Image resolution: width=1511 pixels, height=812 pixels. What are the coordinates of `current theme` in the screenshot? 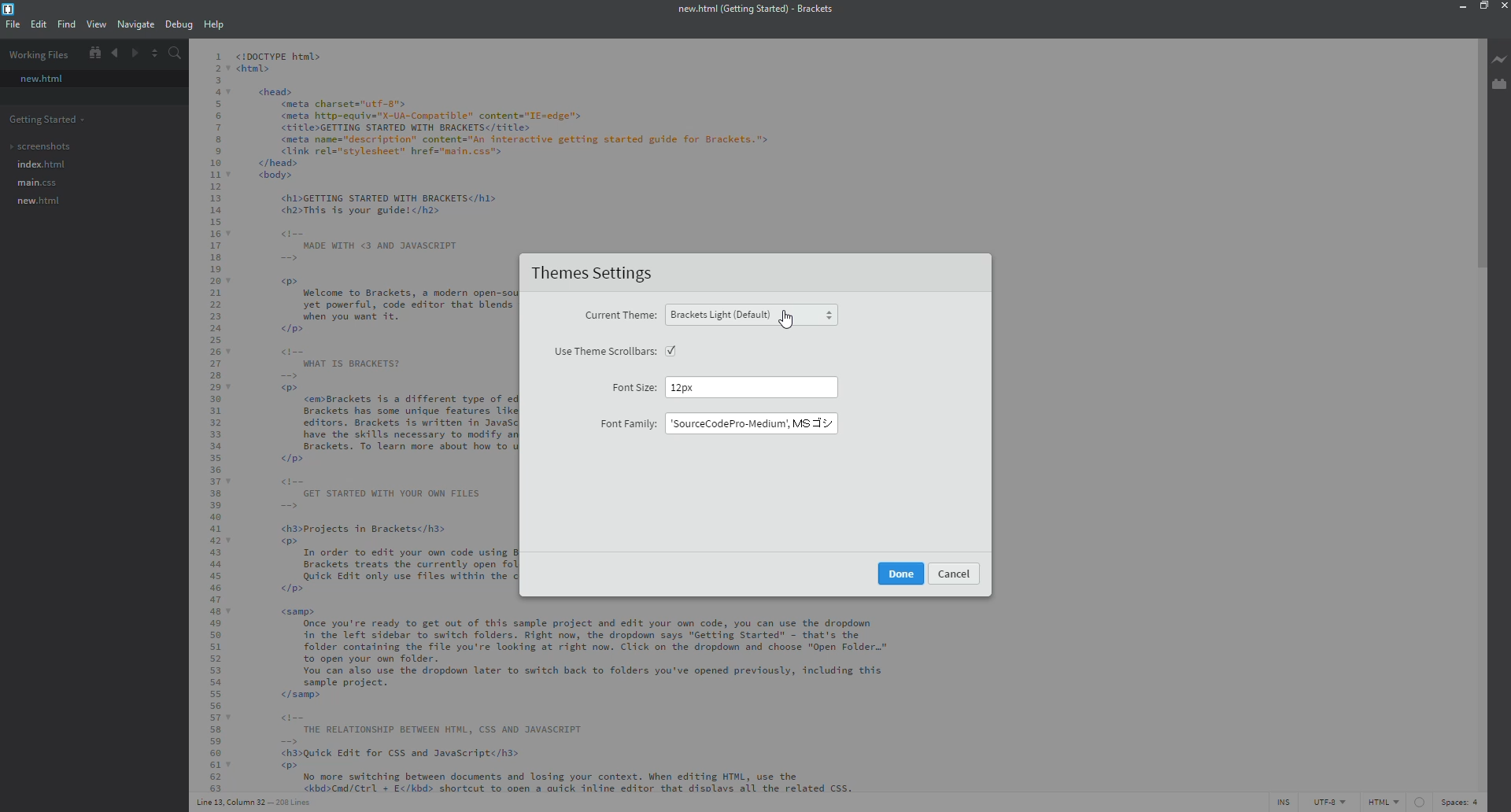 It's located at (619, 316).